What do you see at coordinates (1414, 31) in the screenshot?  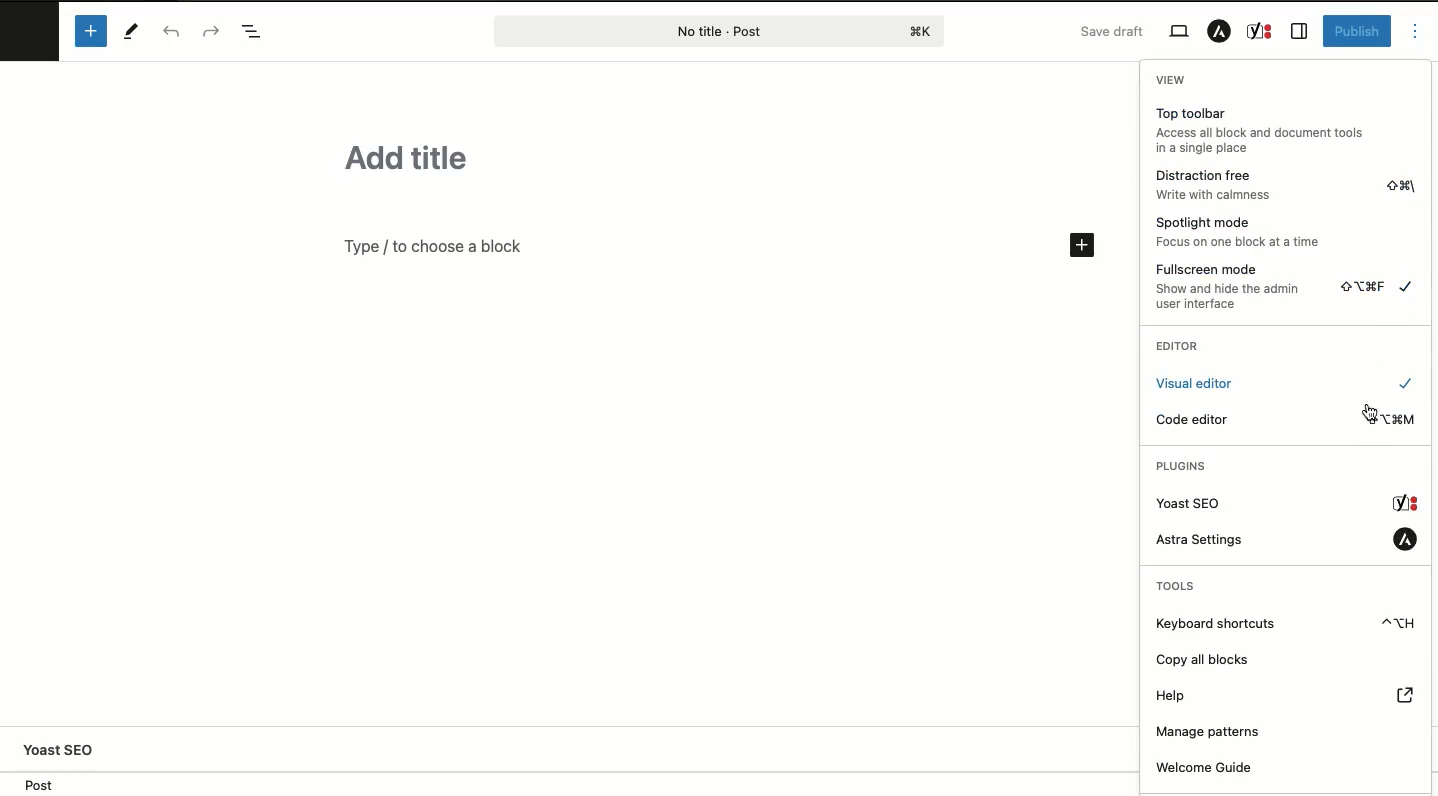 I see `Options` at bounding box center [1414, 31].